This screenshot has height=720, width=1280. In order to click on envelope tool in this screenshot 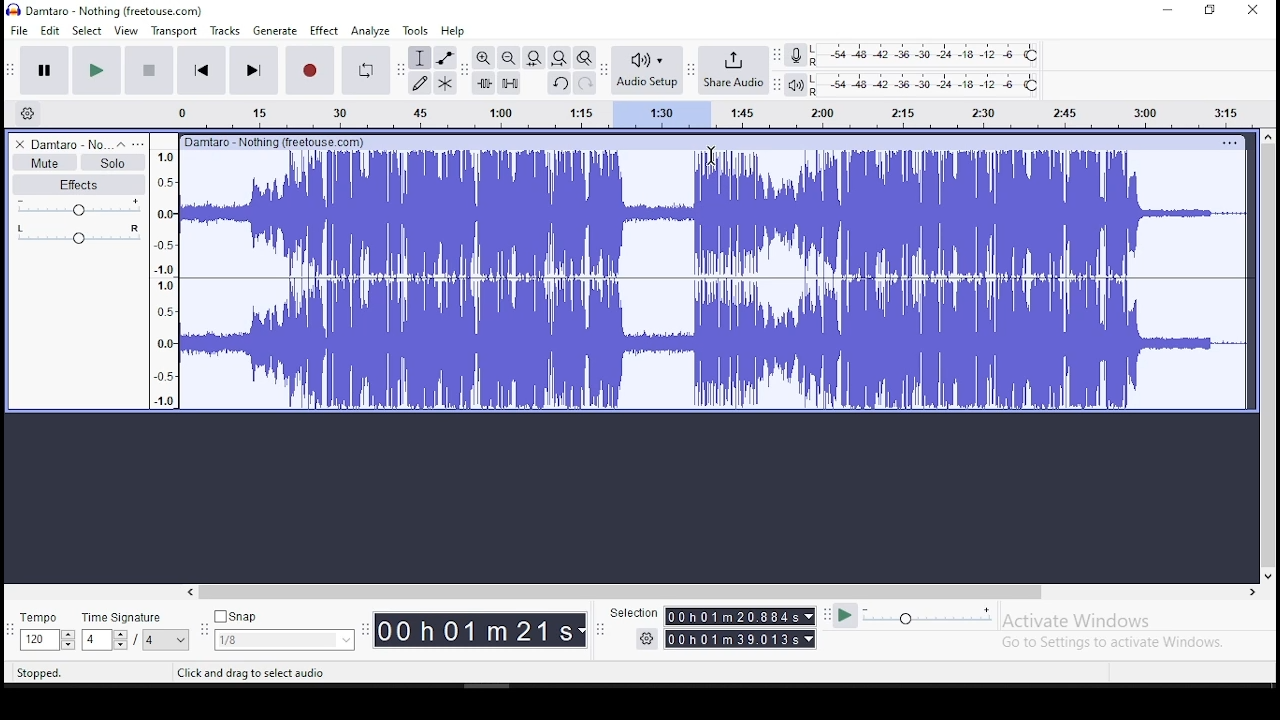, I will do `click(444, 57)`.